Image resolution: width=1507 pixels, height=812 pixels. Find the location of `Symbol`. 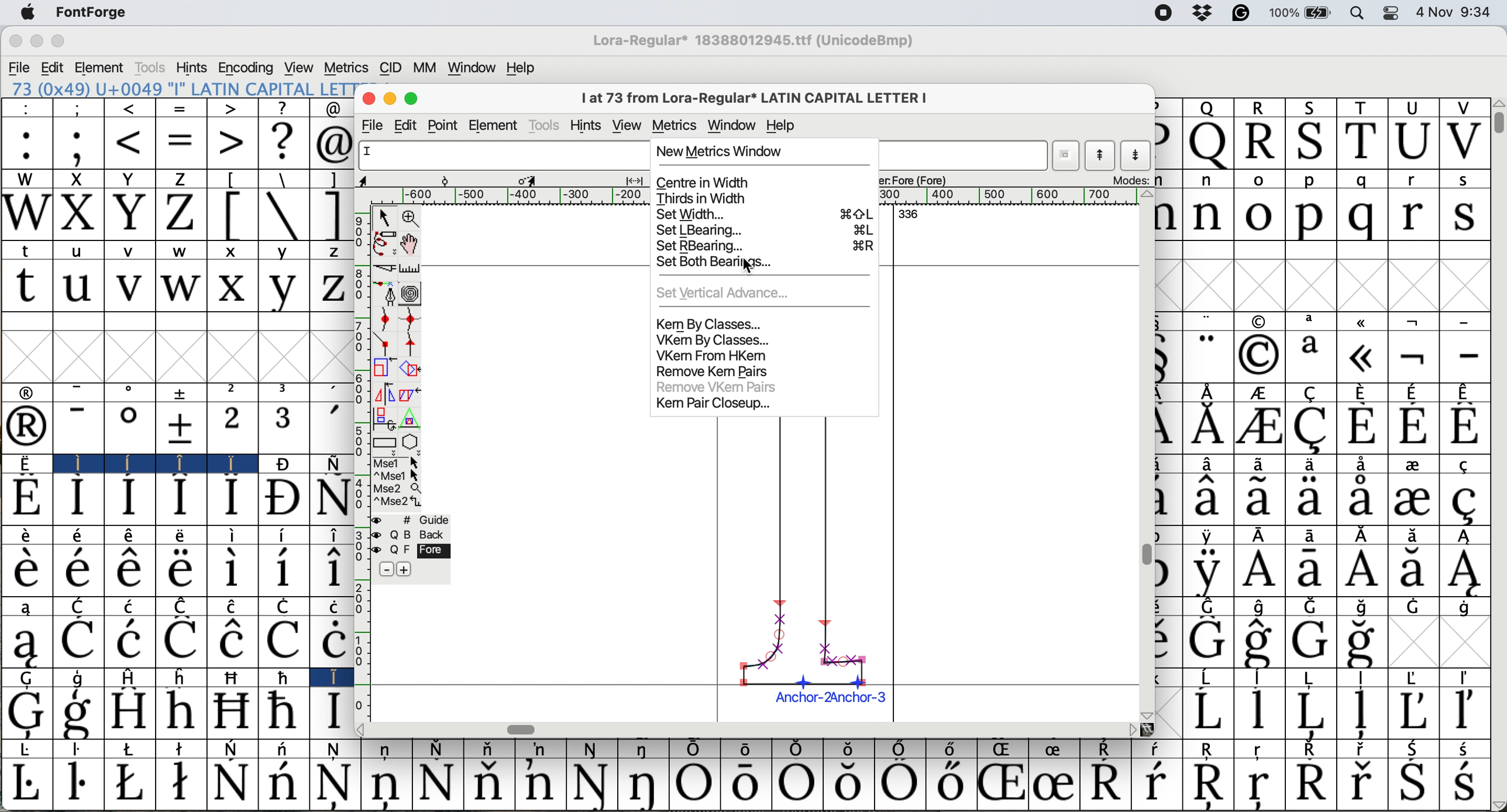

Symbol is located at coordinates (334, 462).